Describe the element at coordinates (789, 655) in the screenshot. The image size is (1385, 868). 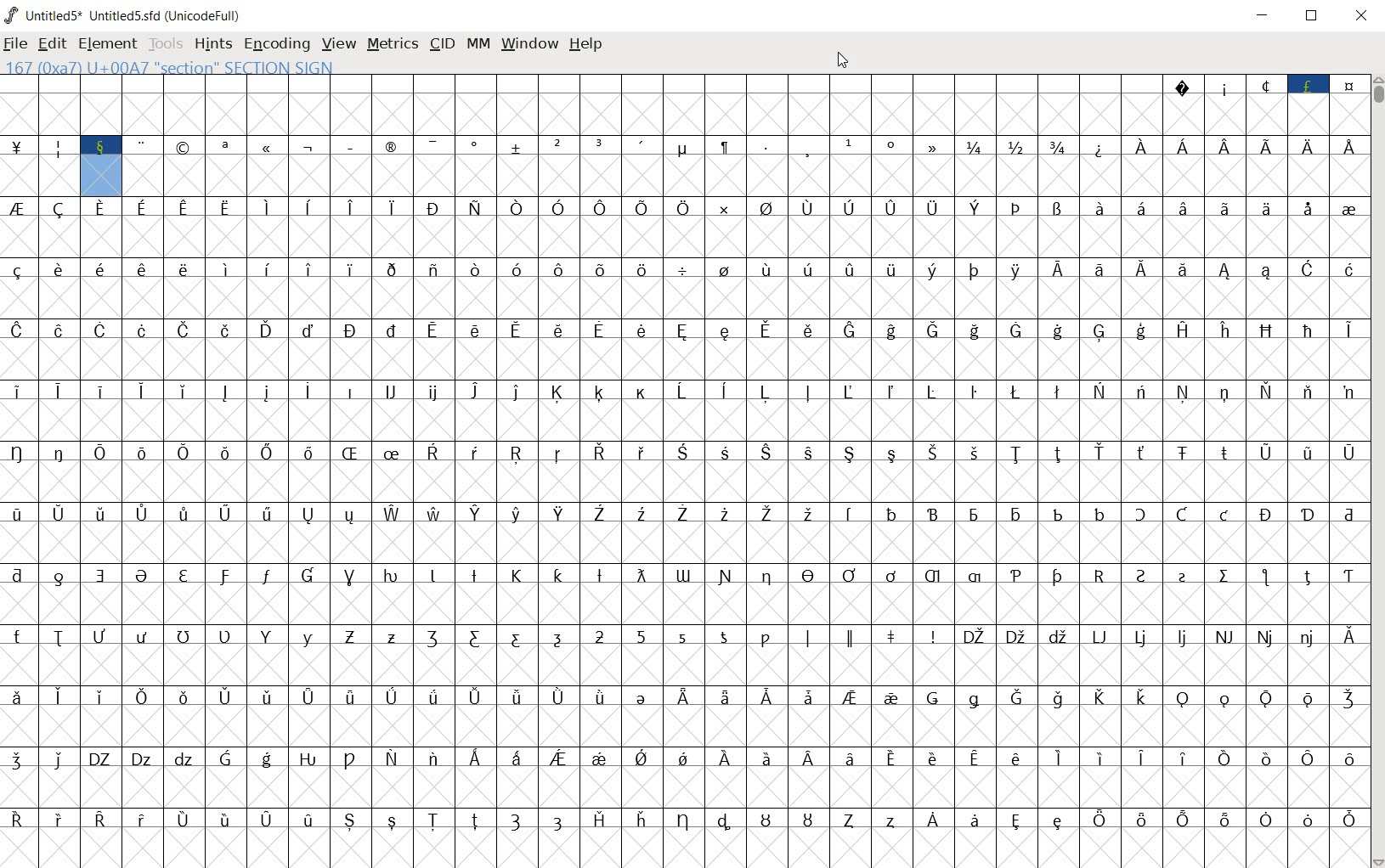
I see `special alphabets` at that location.